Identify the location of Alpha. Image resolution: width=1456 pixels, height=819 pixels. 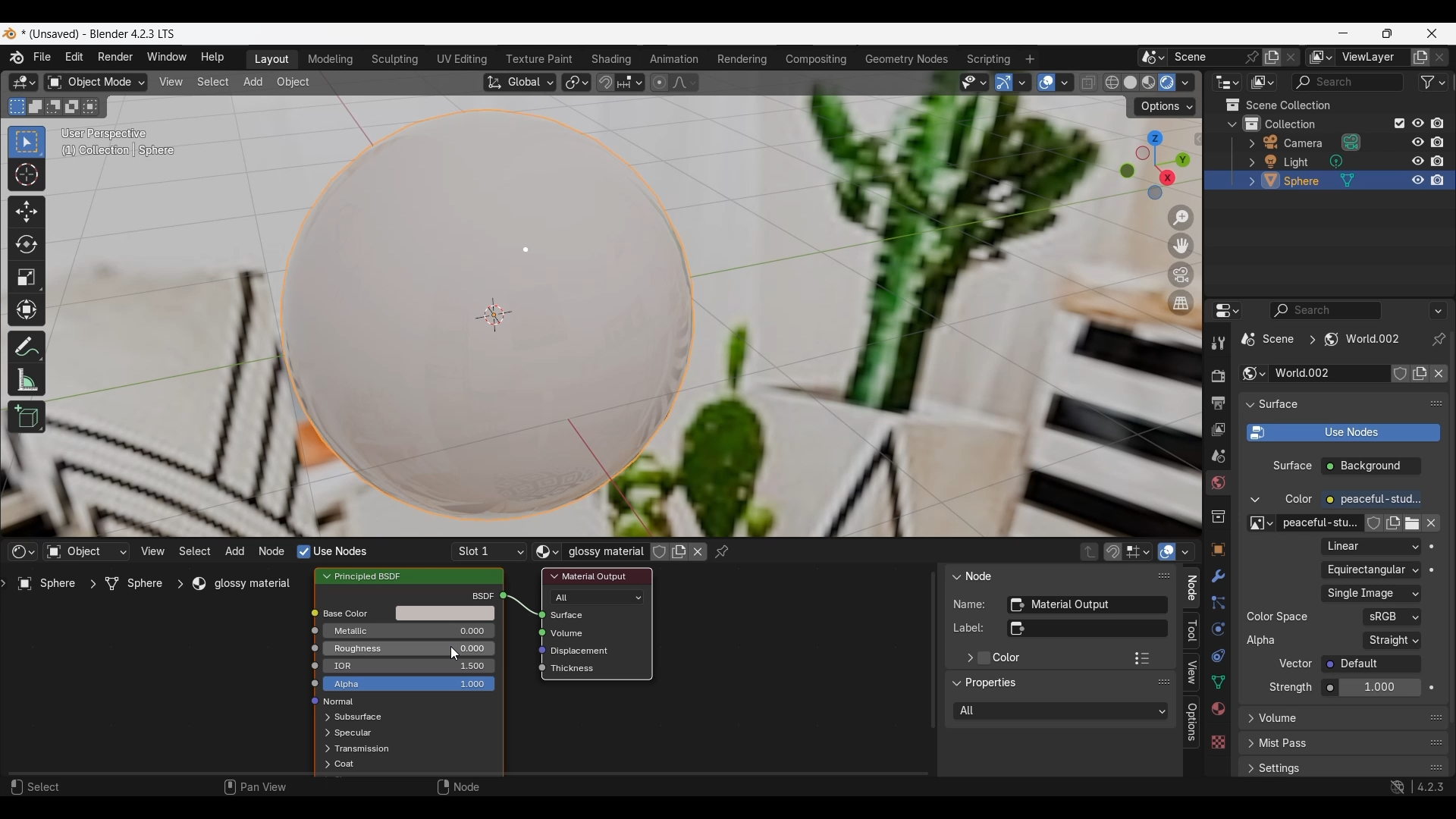
(409, 684).